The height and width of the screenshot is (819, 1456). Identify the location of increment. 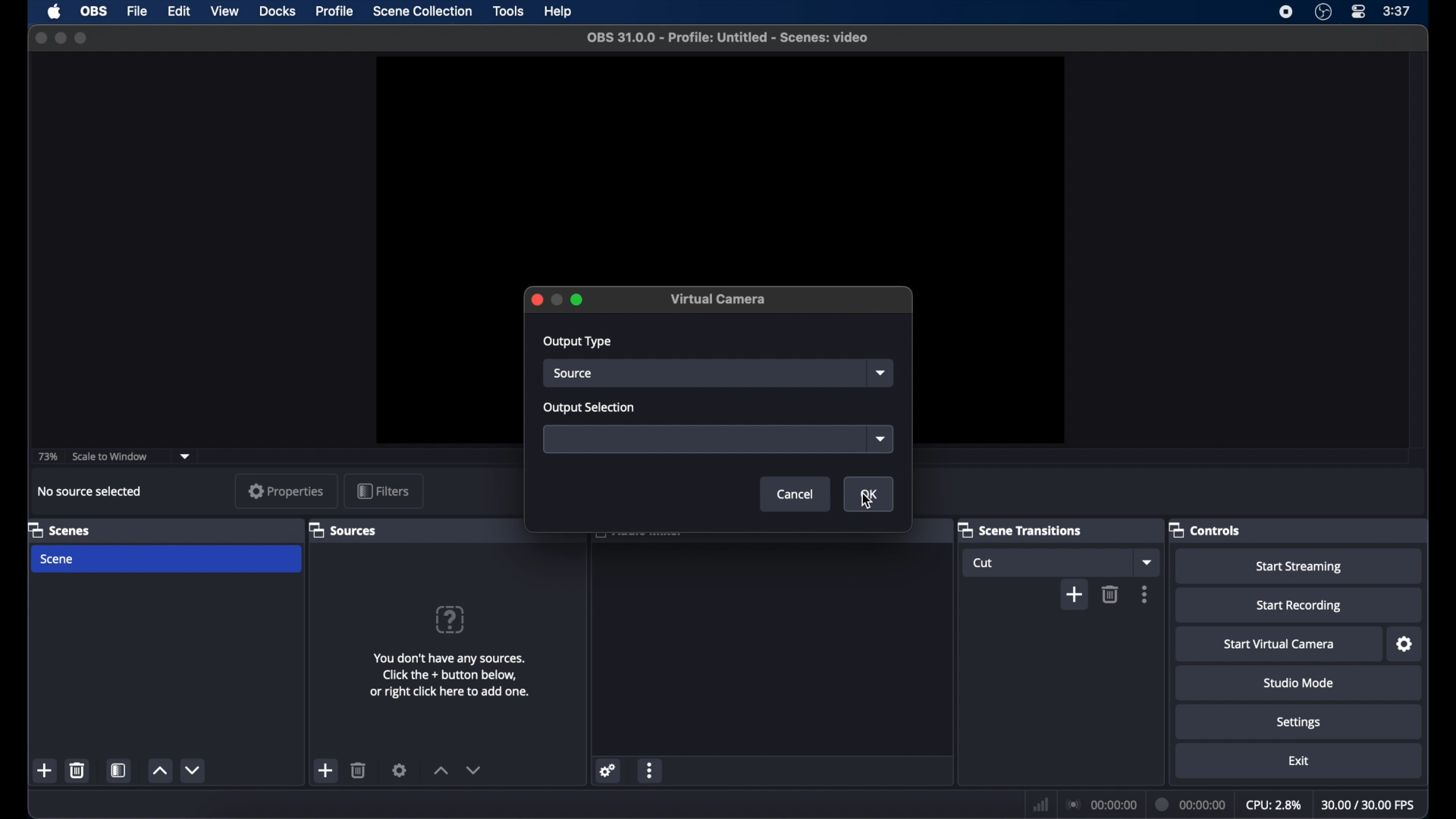
(159, 771).